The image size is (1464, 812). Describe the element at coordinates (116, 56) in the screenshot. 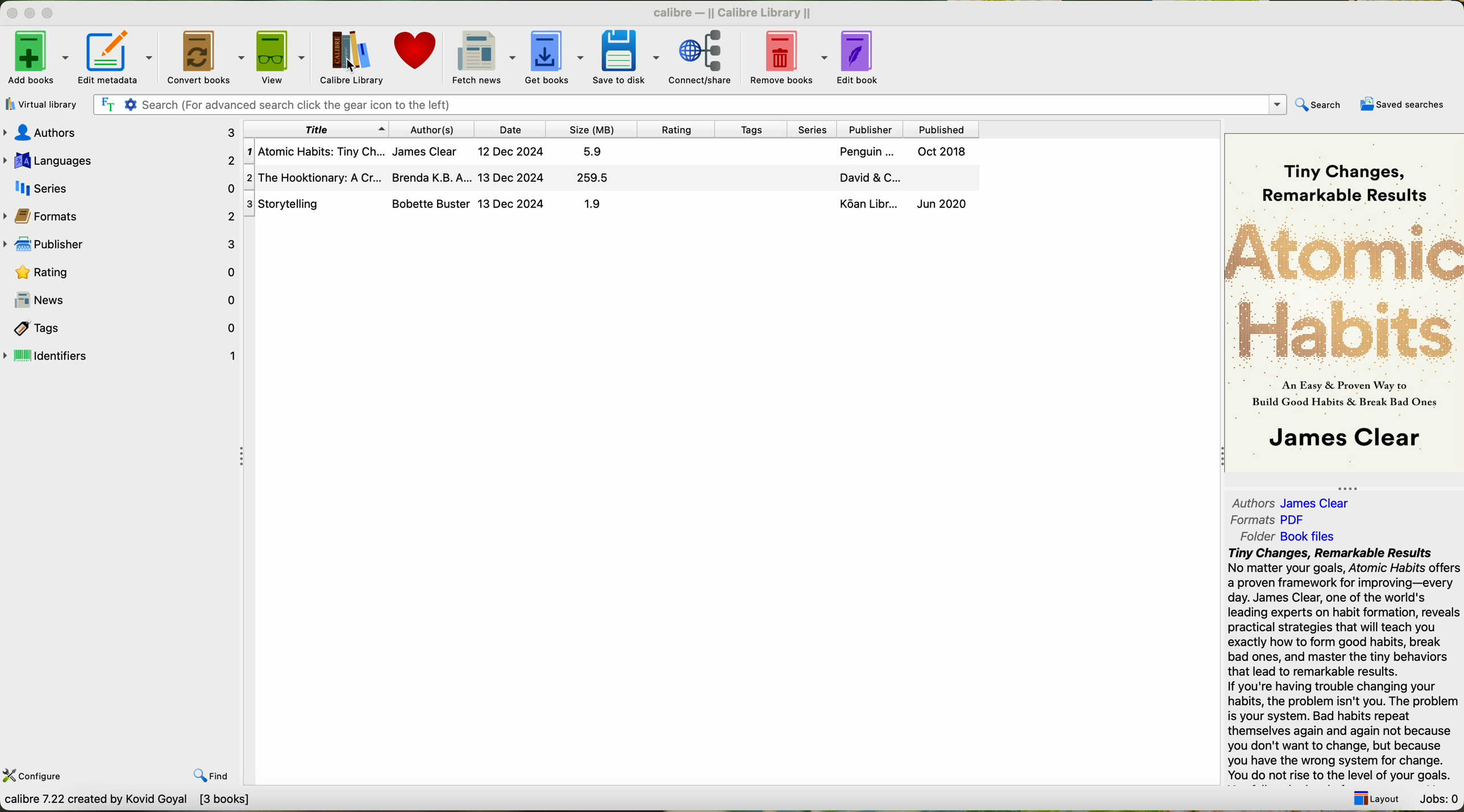

I see `edit metadata` at that location.